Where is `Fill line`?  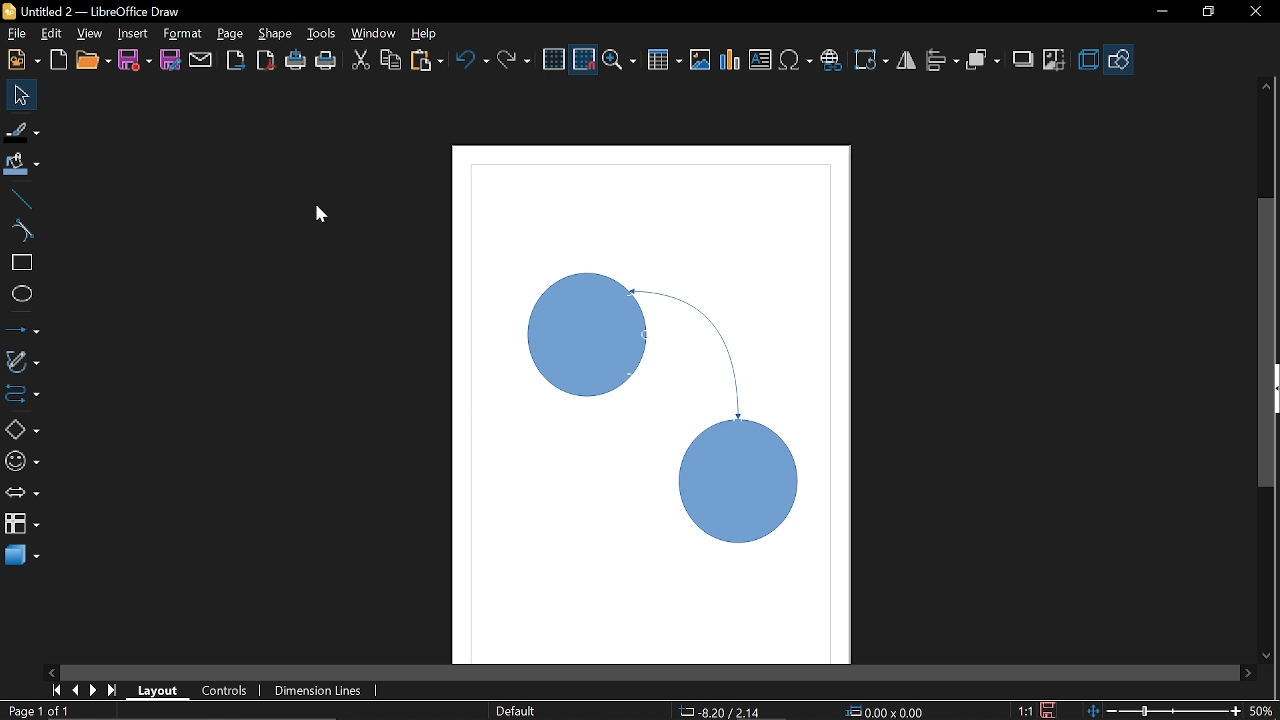 Fill line is located at coordinates (23, 132).